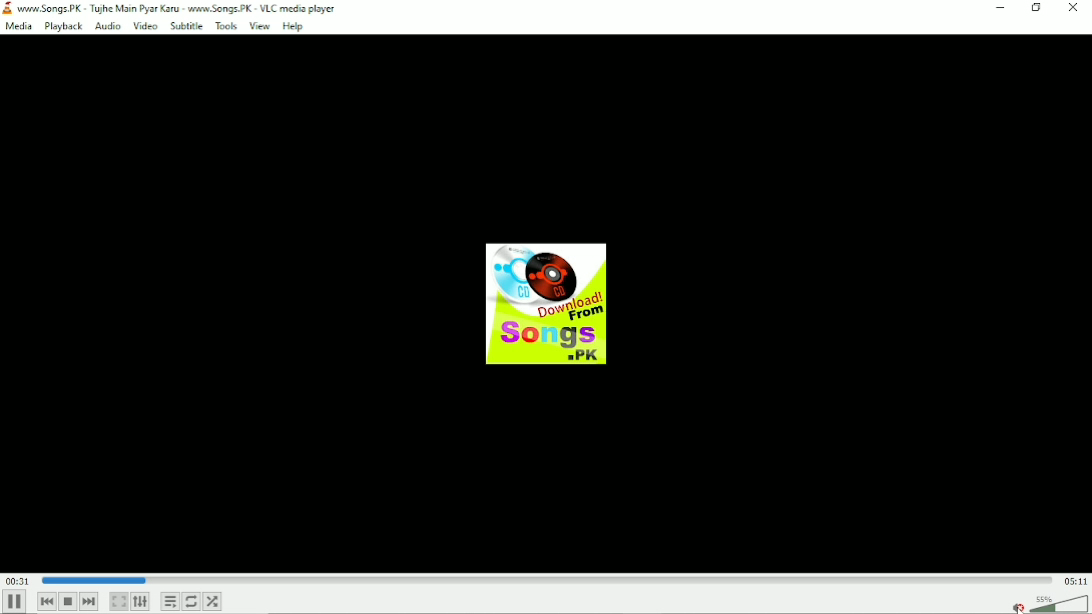 This screenshot has width=1092, height=614. Describe the element at coordinates (212, 601) in the screenshot. I see `Random` at that location.